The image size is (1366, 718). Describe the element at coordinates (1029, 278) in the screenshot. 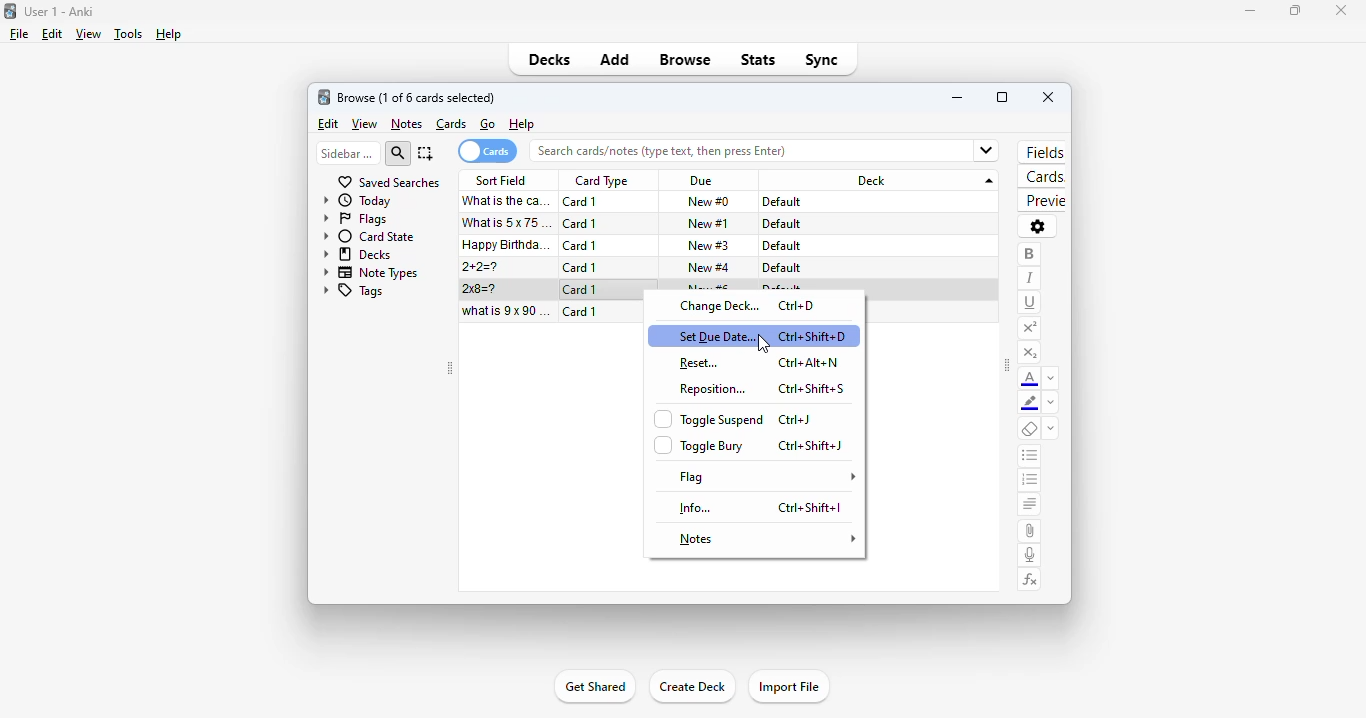

I see `italic` at that location.